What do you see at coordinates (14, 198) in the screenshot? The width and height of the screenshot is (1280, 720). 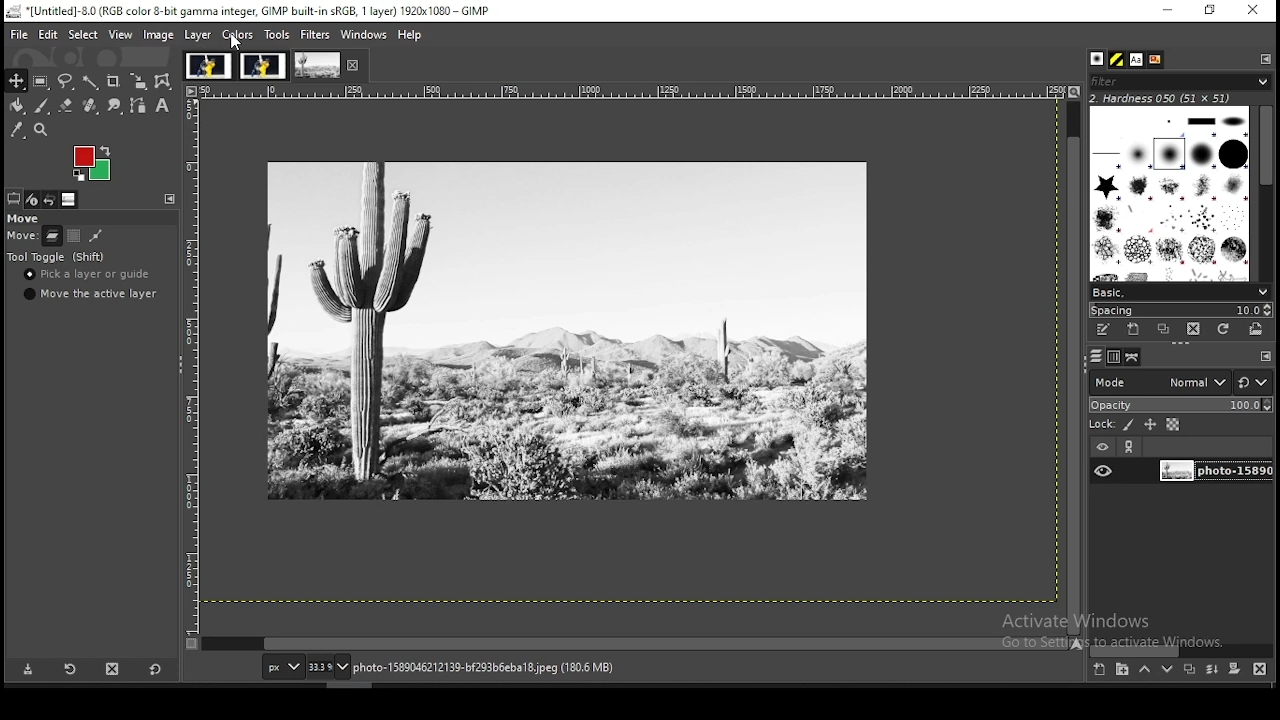 I see `tool selection` at bounding box center [14, 198].